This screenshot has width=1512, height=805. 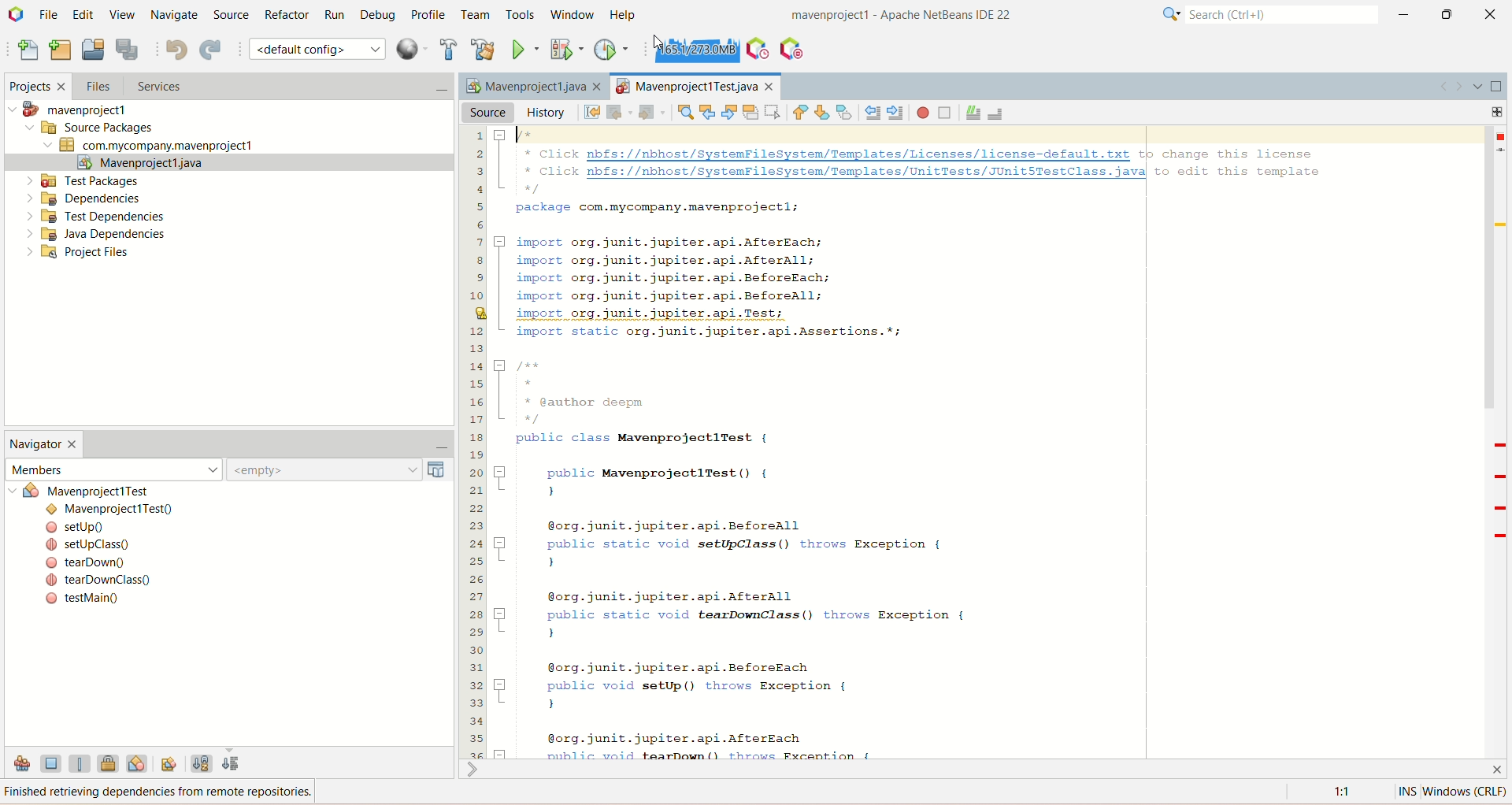 What do you see at coordinates (693, 87) in the screenshot?
I see `project` at bounding box center [693, 87].